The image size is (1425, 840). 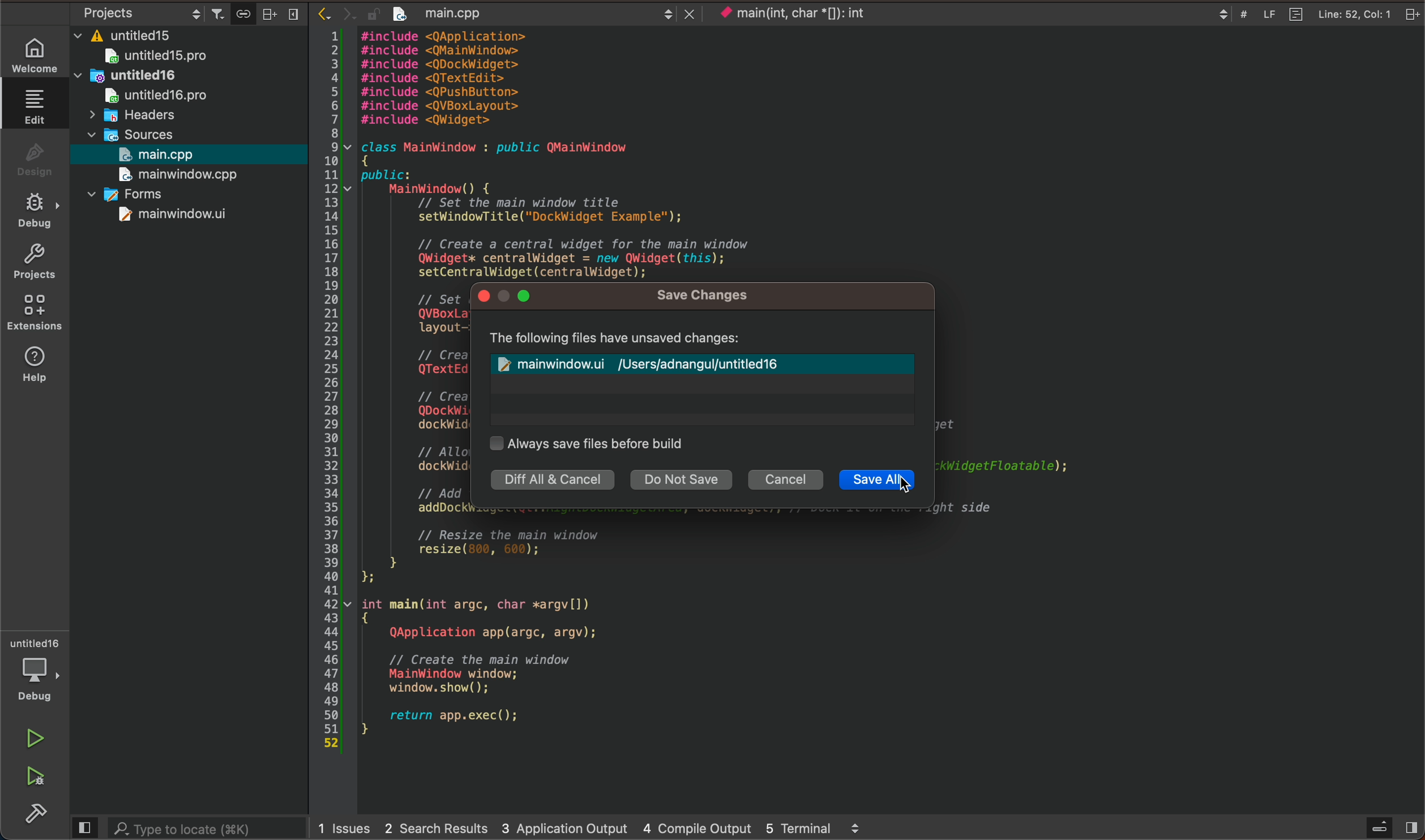 I want to click on untitledpro, so click(x=161, y=96).